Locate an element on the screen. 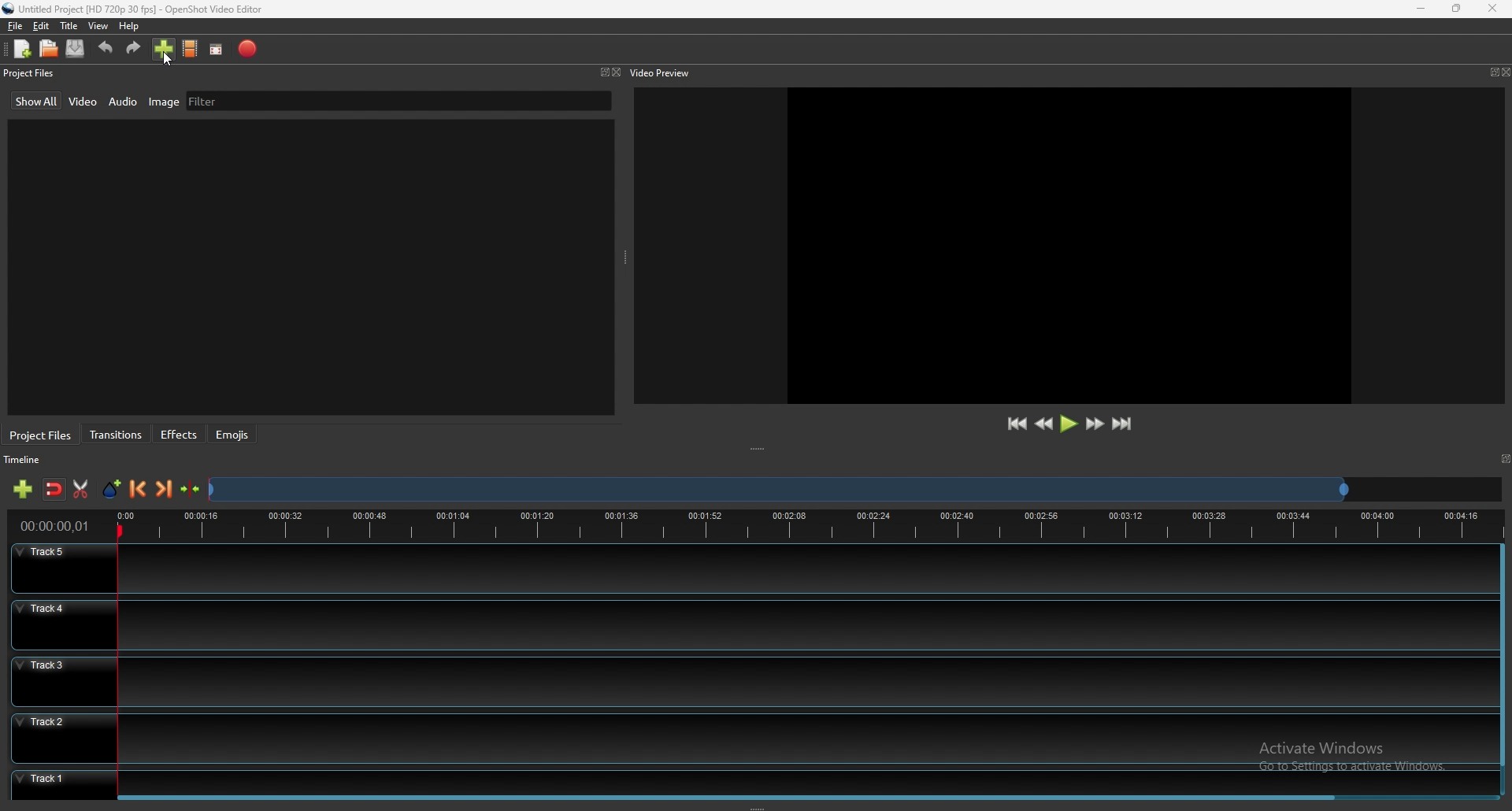 The width and height of the screenshot is (1512, 811). project files is located at coordinates (42, 435).